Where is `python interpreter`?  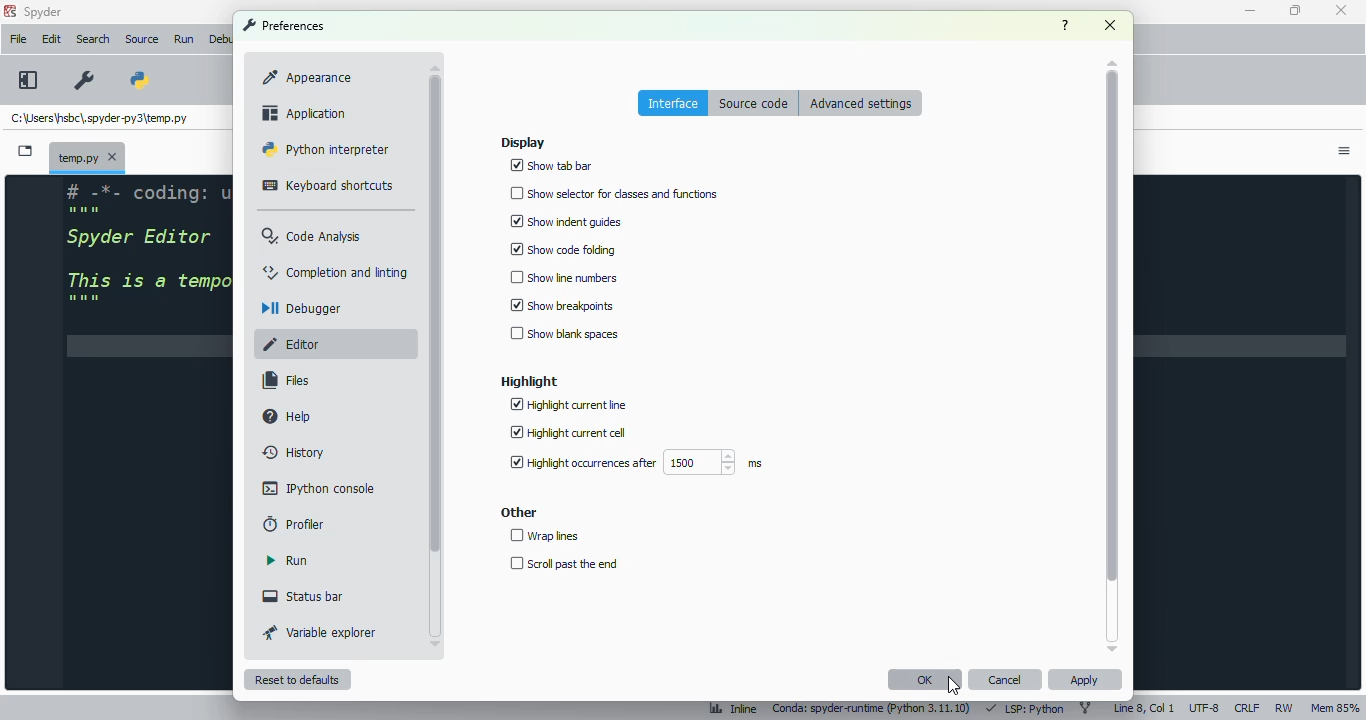 python interpreter is located at coordinates (326, 148).